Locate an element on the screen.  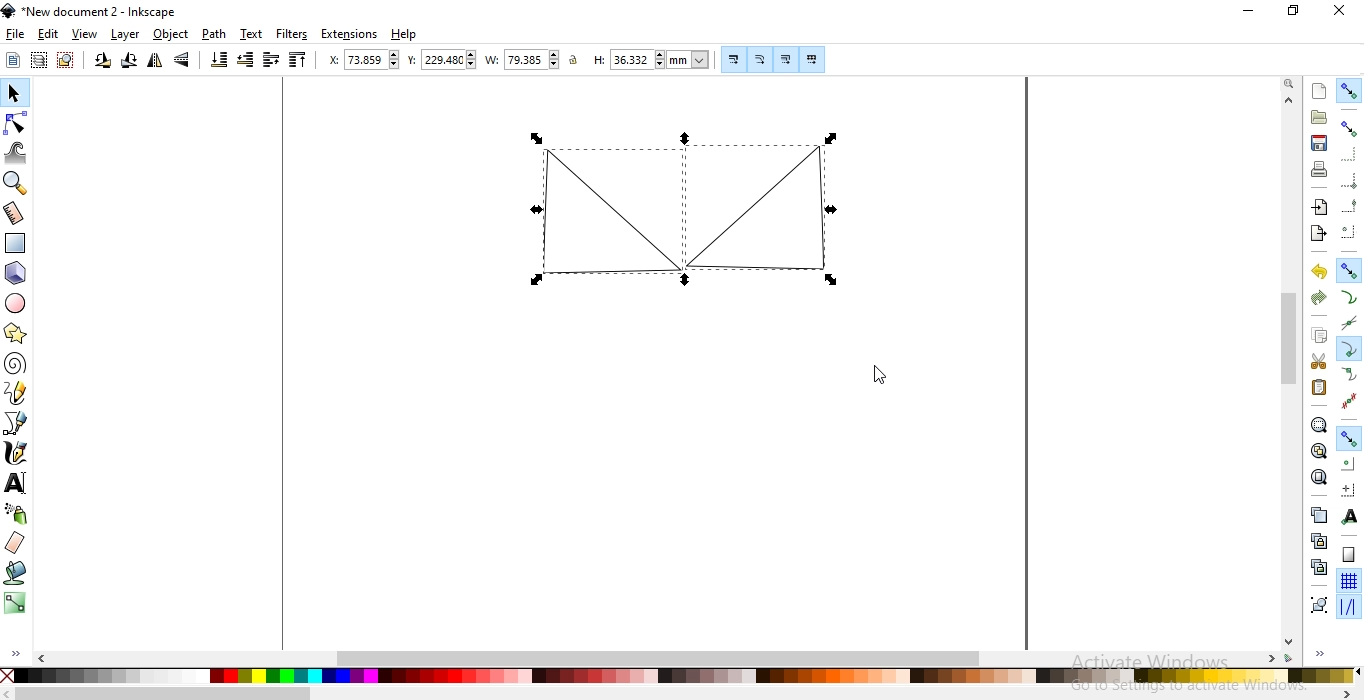
erase existing paths is located at coordinates (17, 543).